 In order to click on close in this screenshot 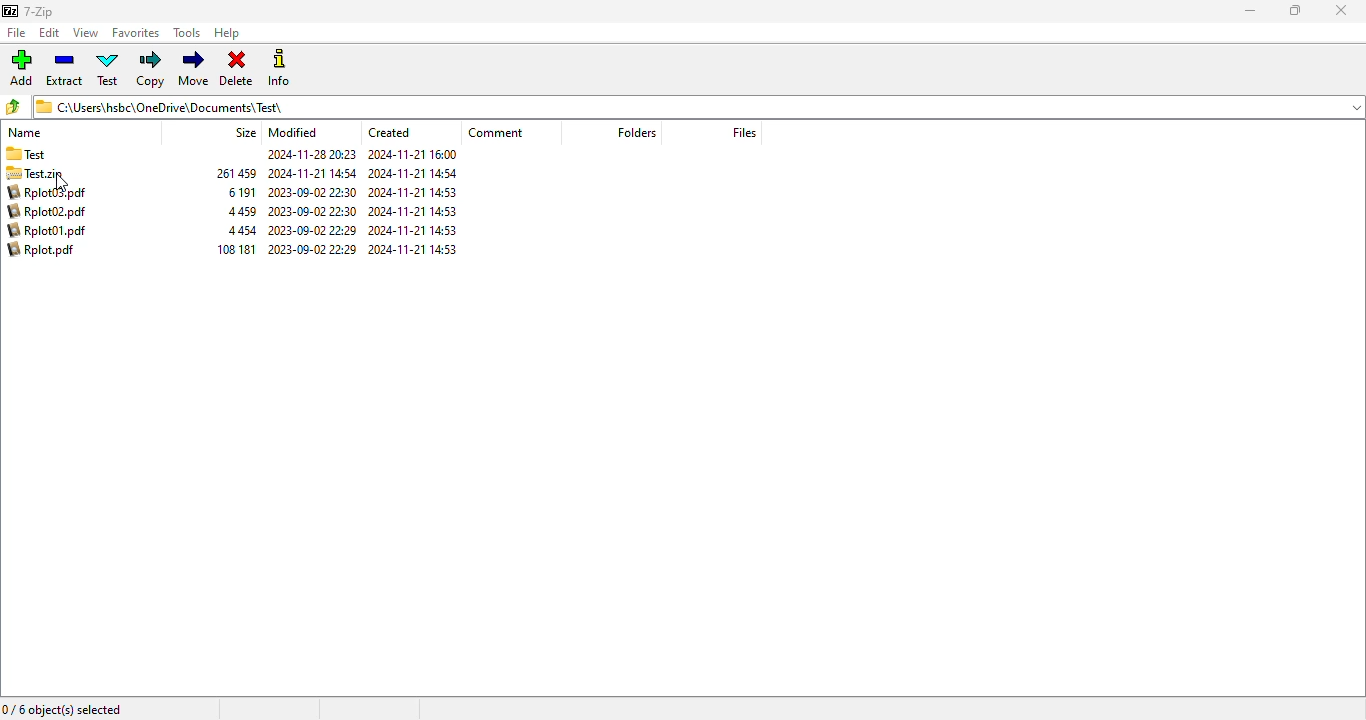, I will do `click(1341, 11)`.